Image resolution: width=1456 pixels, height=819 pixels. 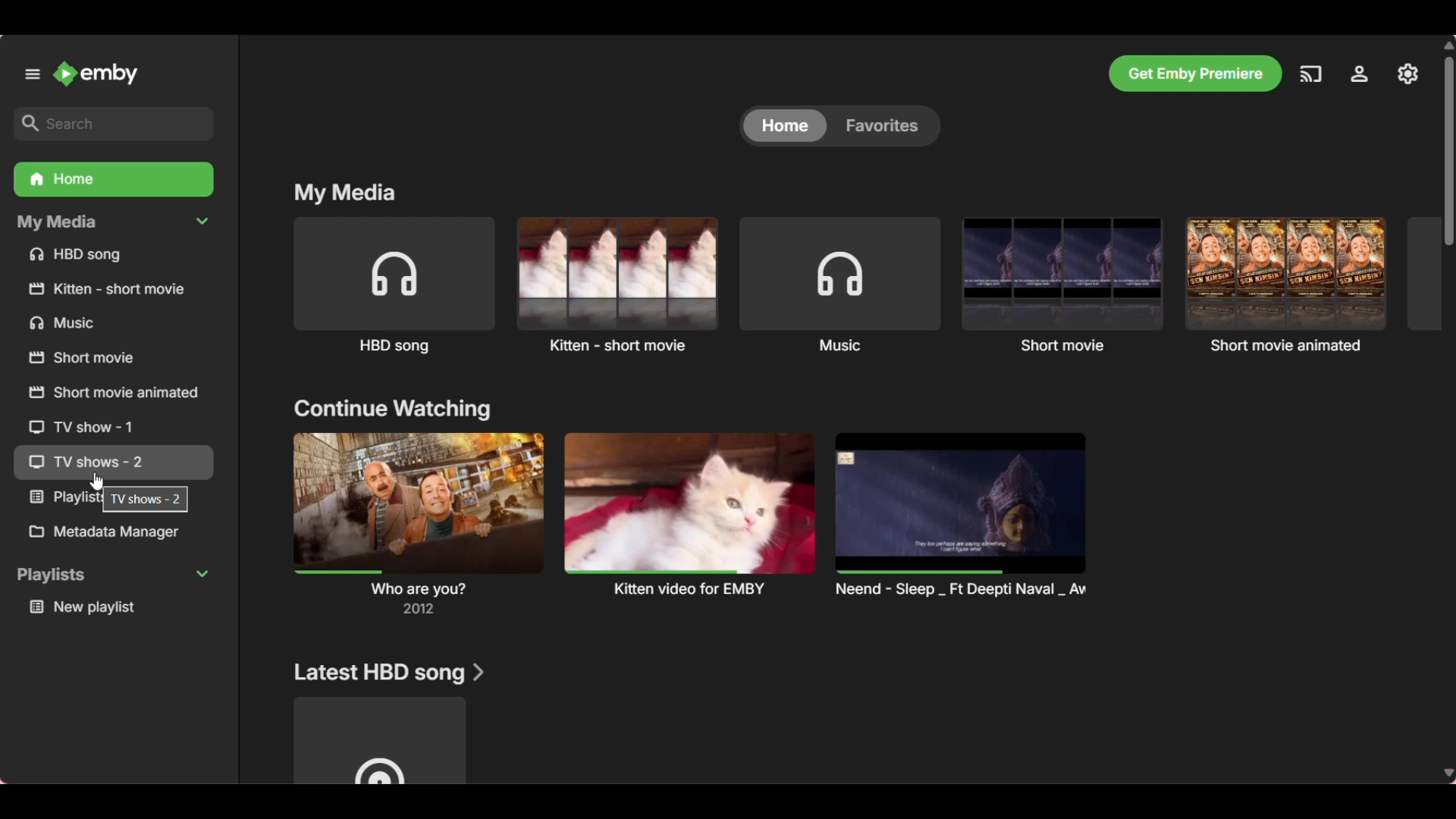 I want to click on Short movie animated, so click(x=1287, y=284).